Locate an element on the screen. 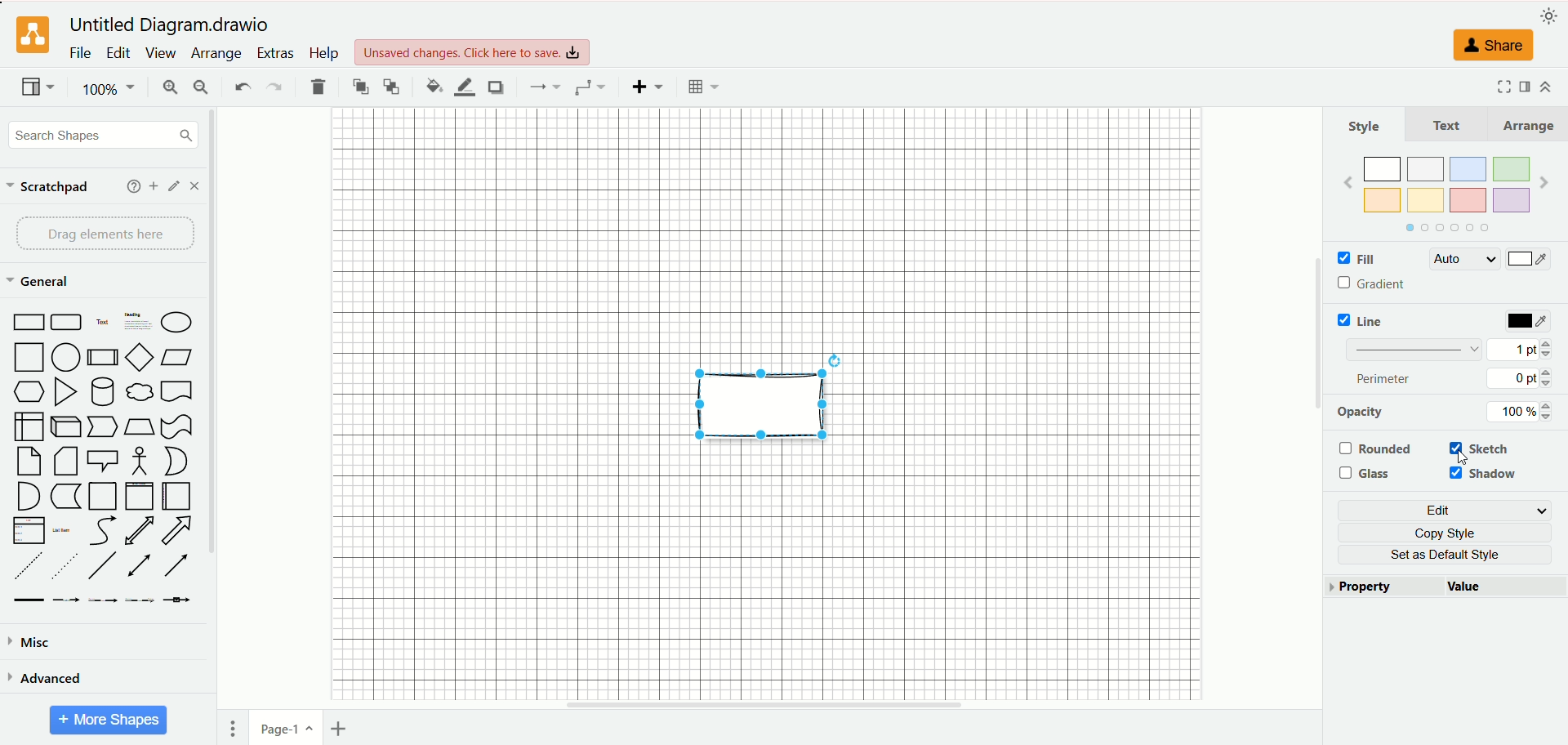 This screenshot has width=1568, height=745. scratchpad is located at coordinates (48, 188).